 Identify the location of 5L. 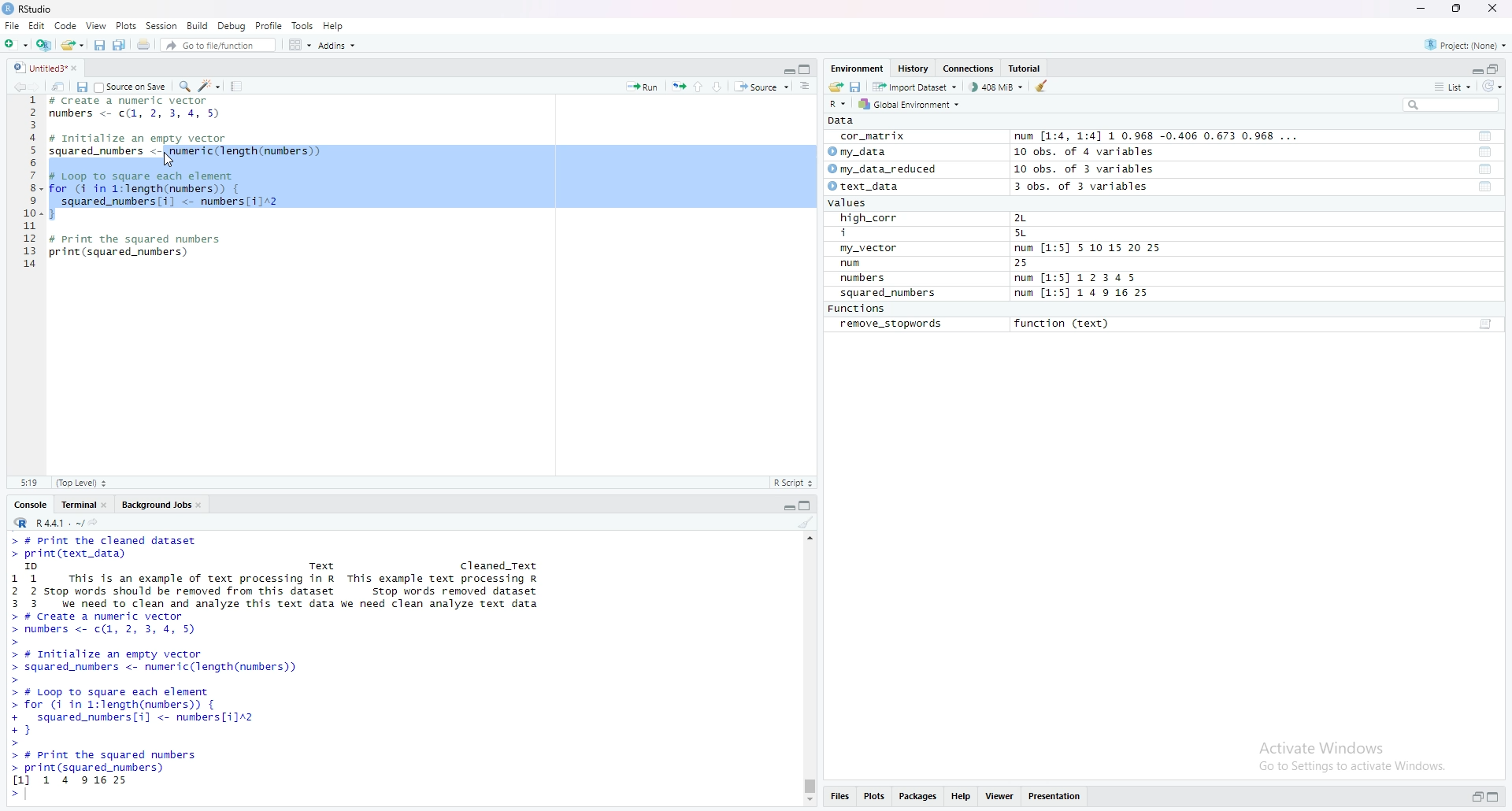
(1024, 234).